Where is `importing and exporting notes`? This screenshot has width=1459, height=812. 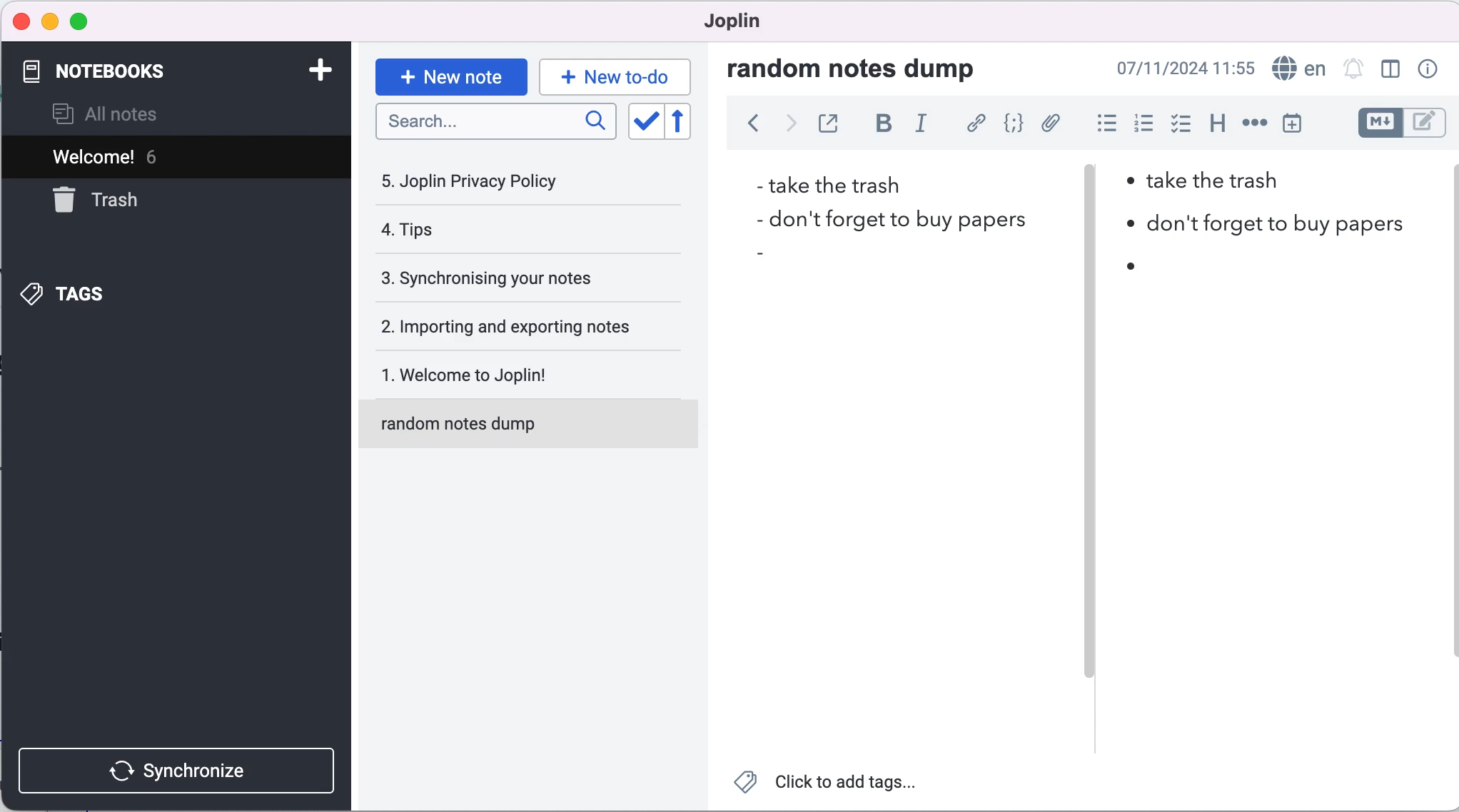
importing and exporting notes is located at coordinates (515, 325).